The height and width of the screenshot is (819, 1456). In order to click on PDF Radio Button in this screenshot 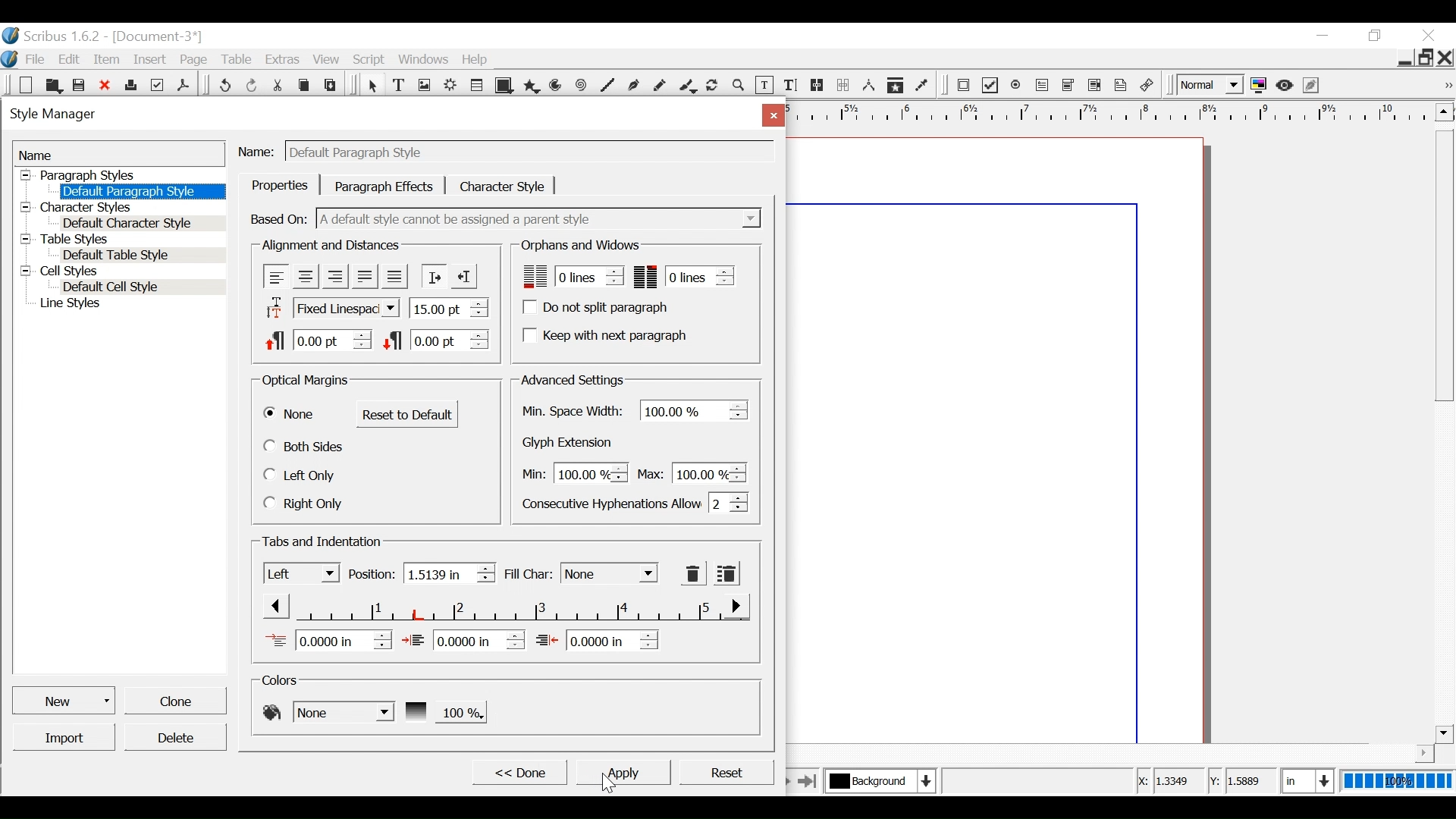, I will do `click(1017, 86)`.